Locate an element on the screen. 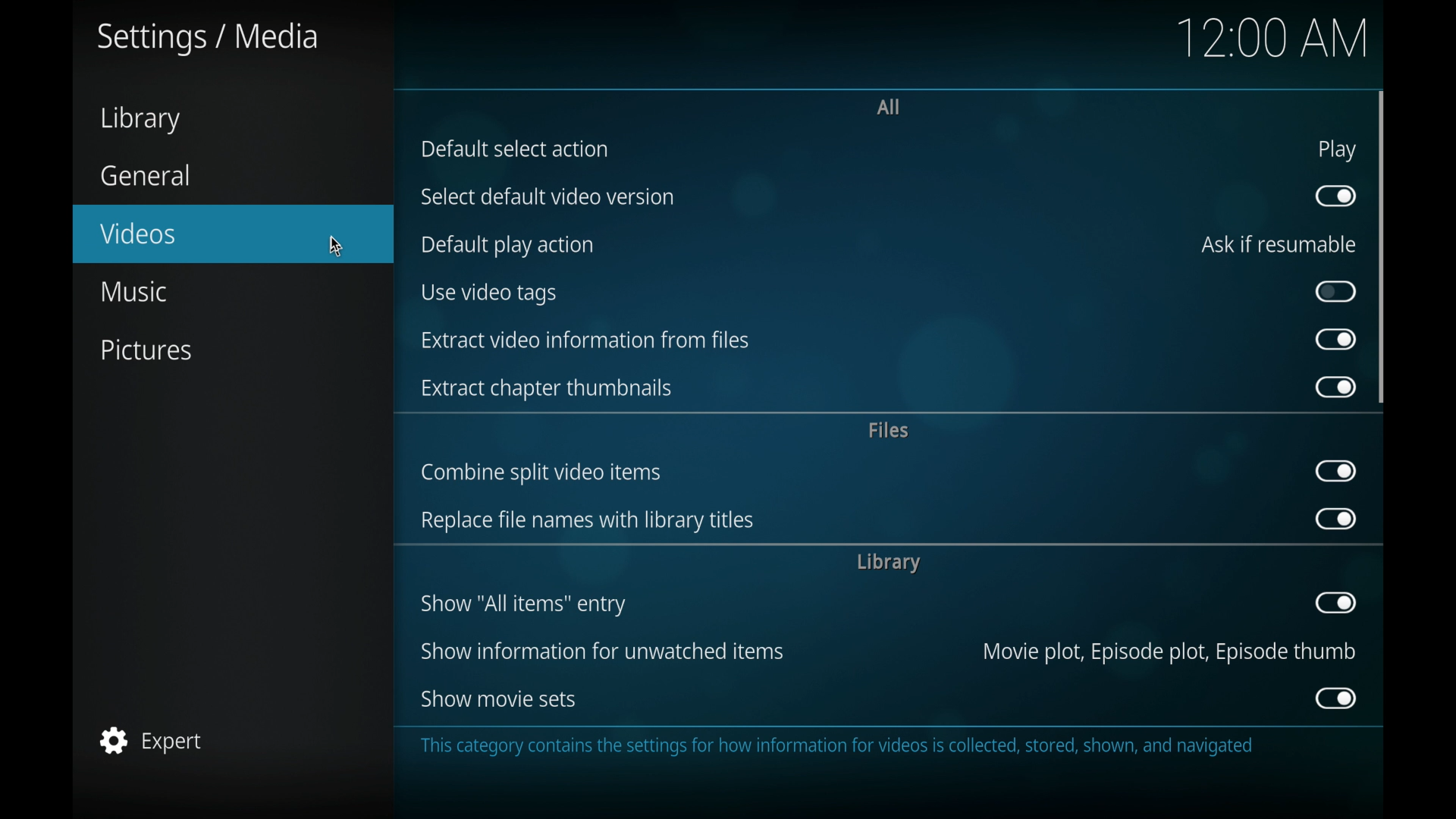 The image size is (1456, 819). toggle button is located at coordinates (1337, 602).